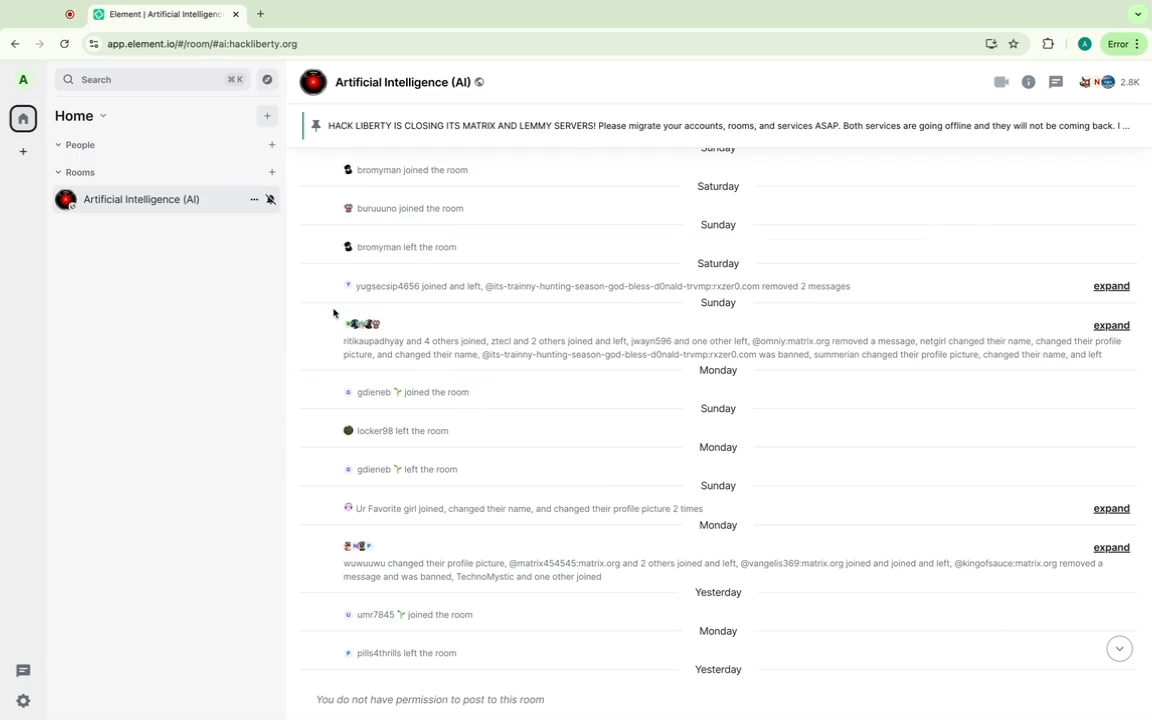 The width and height of the screenshot is (1152, 720). Describe the element at coordinates (190, 43) in the screenshot. I see `Url` at that location.